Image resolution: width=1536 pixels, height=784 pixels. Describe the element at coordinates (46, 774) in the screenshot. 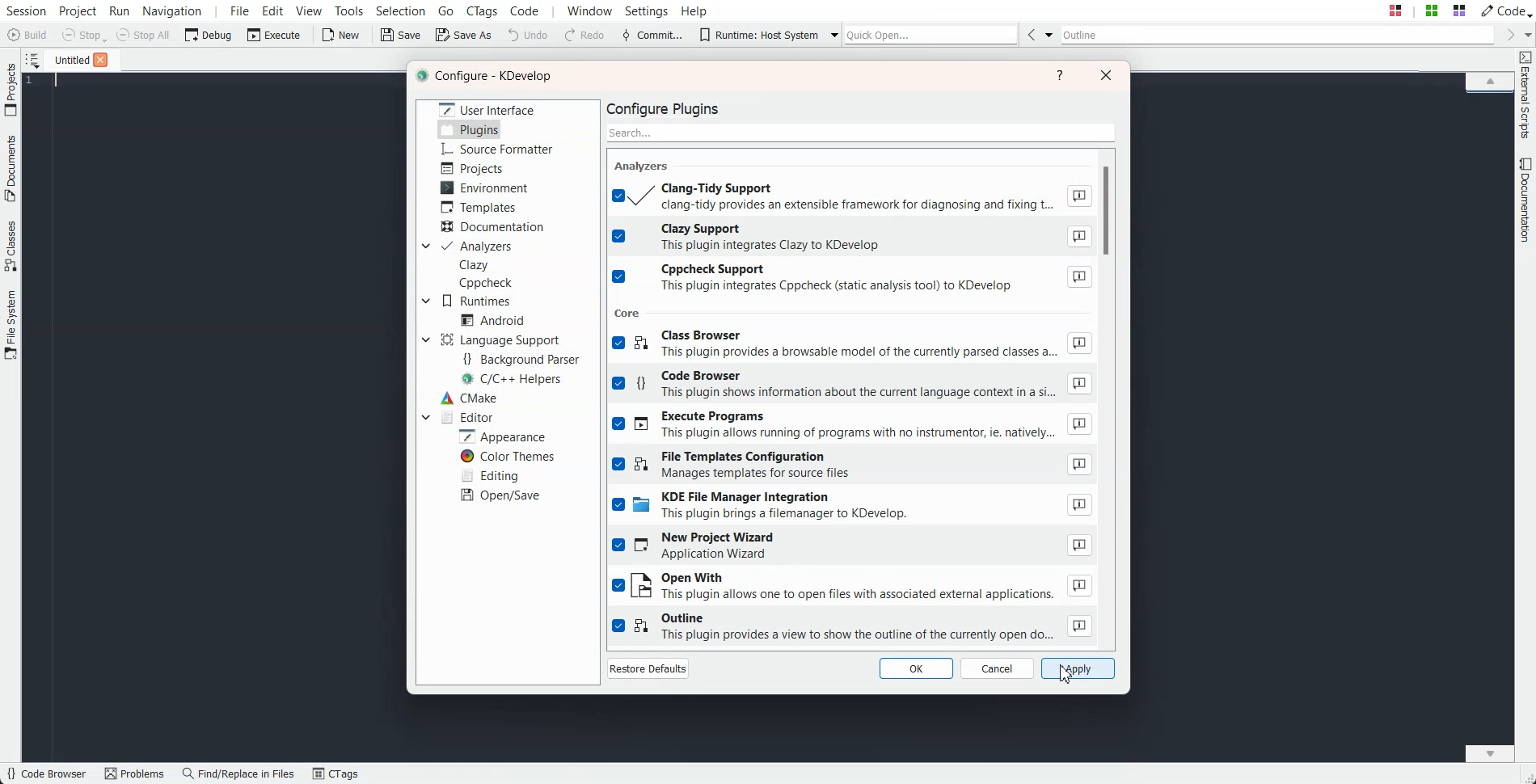

I see `Code Browser` at that location.